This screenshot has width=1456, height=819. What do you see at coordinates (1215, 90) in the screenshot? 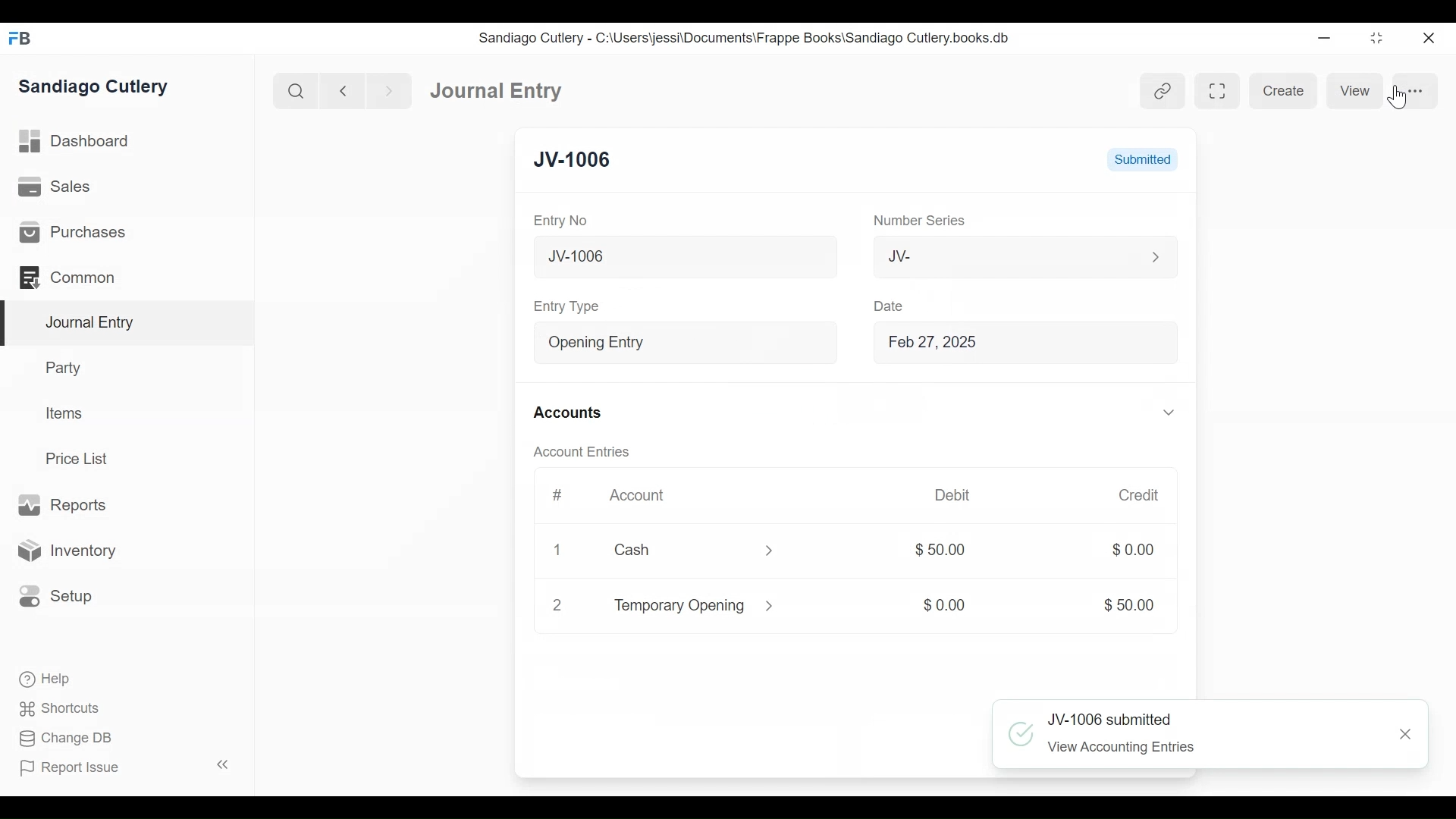
I see `Toggle between form and full width` at bounding box center [1215, 90].